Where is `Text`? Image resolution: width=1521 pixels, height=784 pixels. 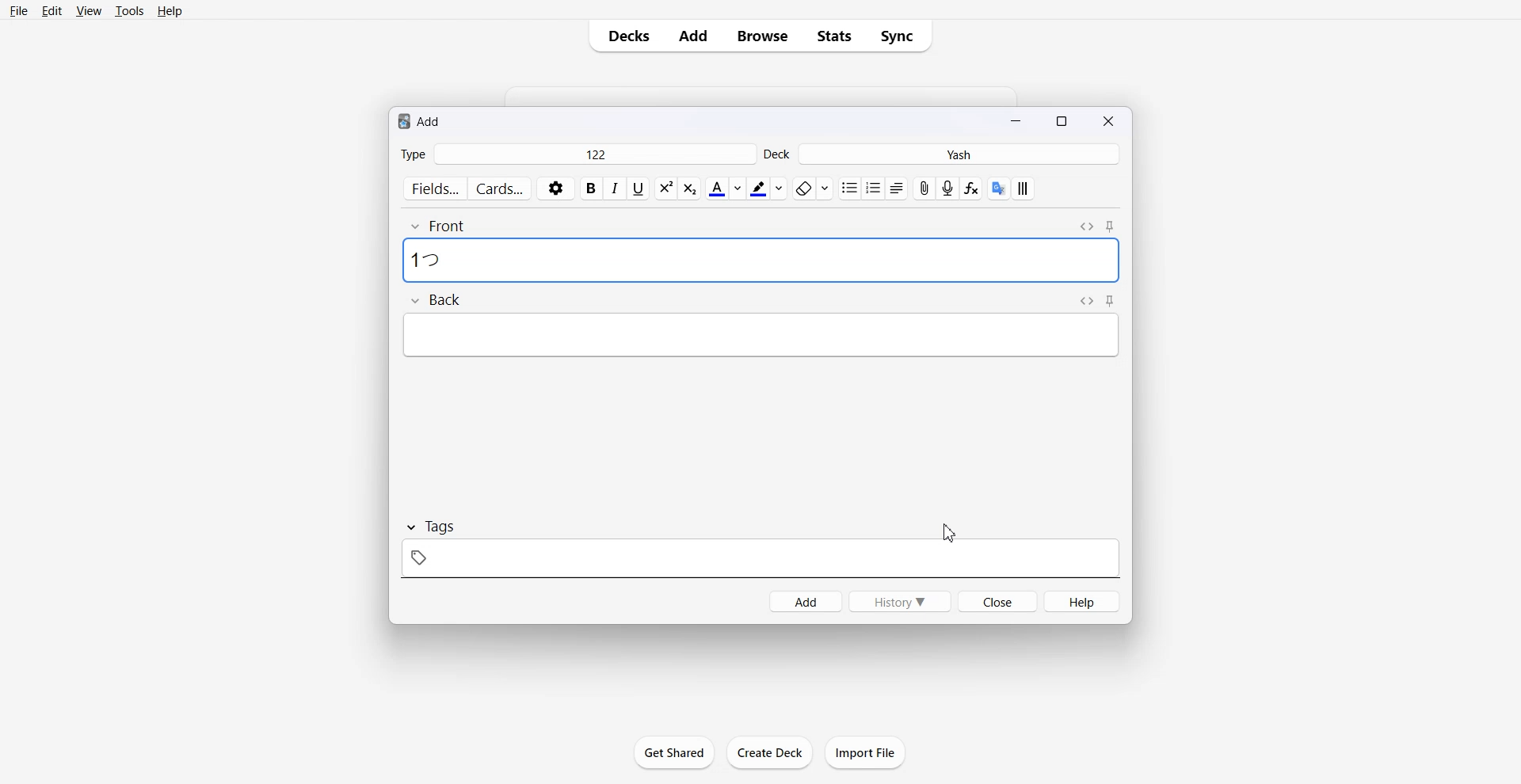 Text is located at coordinates (420, 120).